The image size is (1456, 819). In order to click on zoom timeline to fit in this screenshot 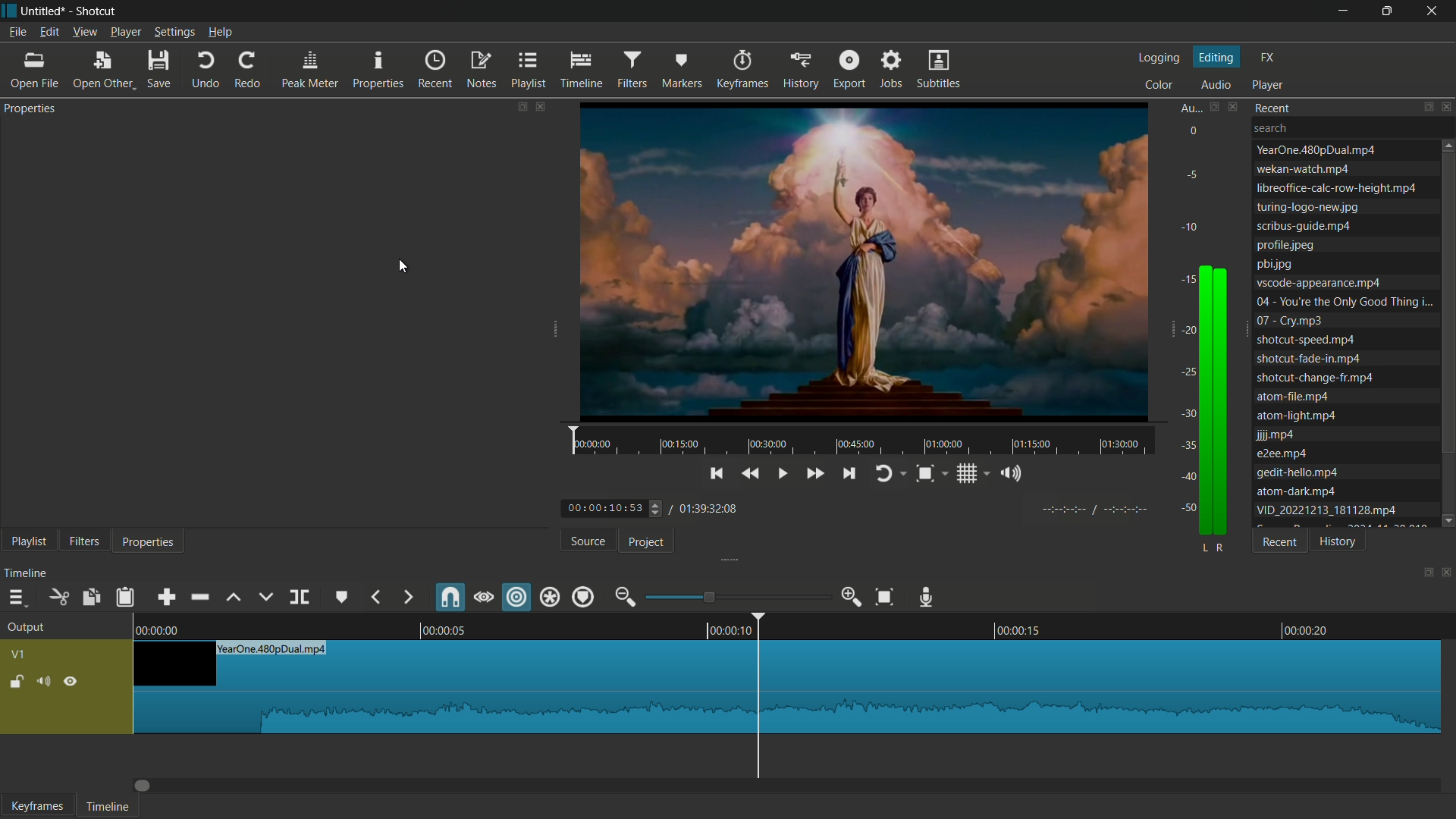, I will do `click(886, 596)`.